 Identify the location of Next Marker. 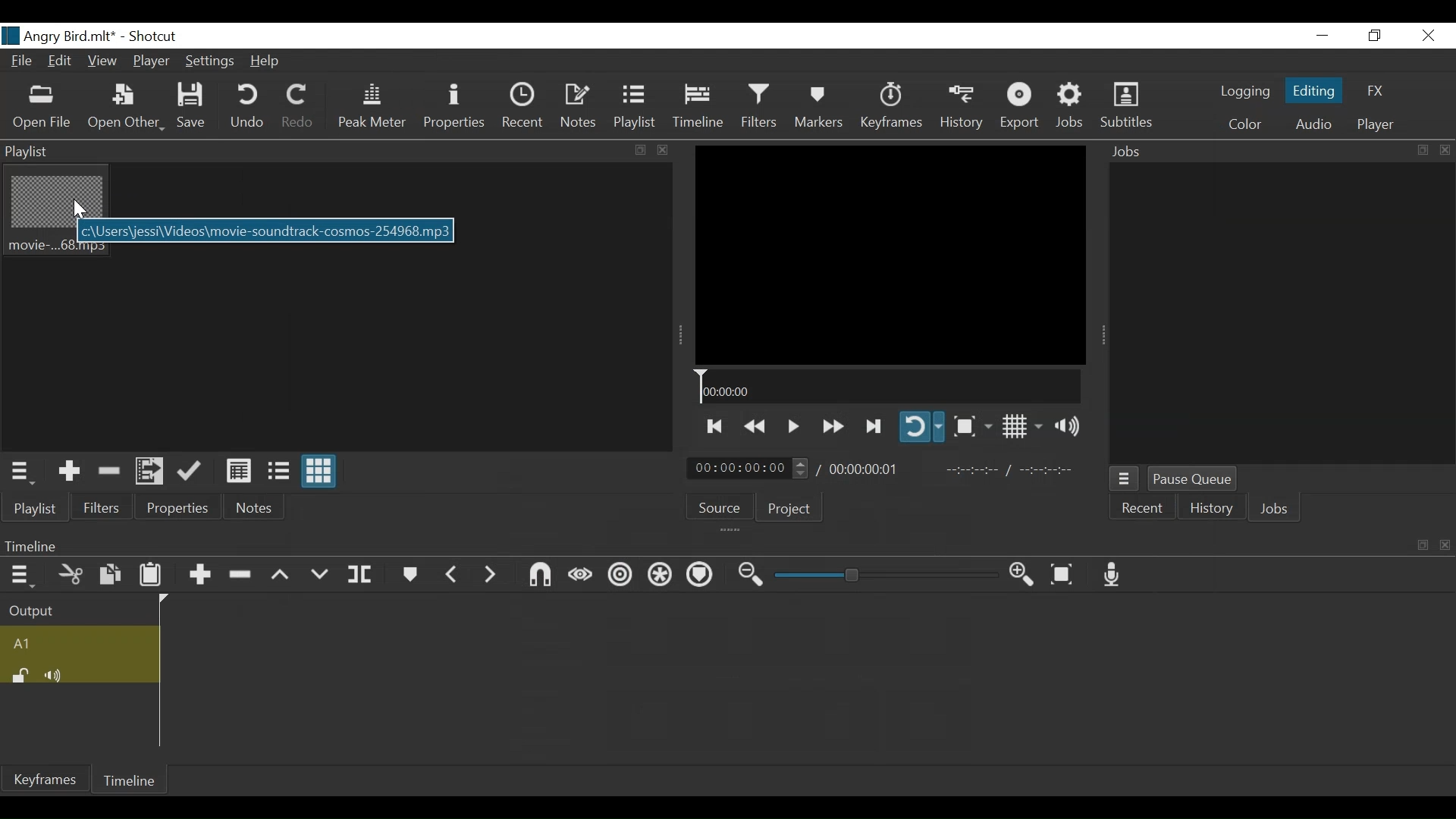
(493, 575).